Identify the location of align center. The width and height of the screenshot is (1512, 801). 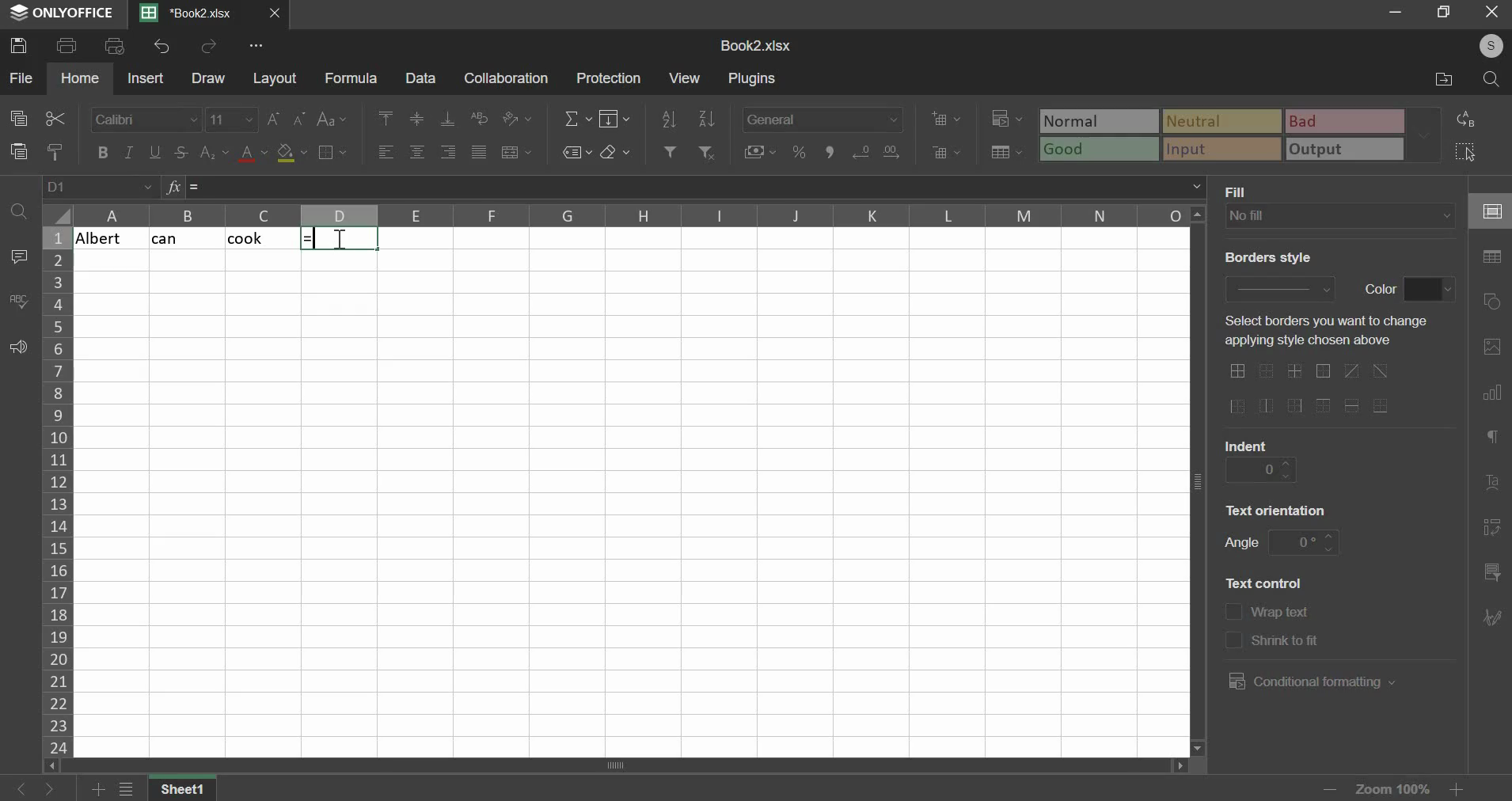
(417, 153).